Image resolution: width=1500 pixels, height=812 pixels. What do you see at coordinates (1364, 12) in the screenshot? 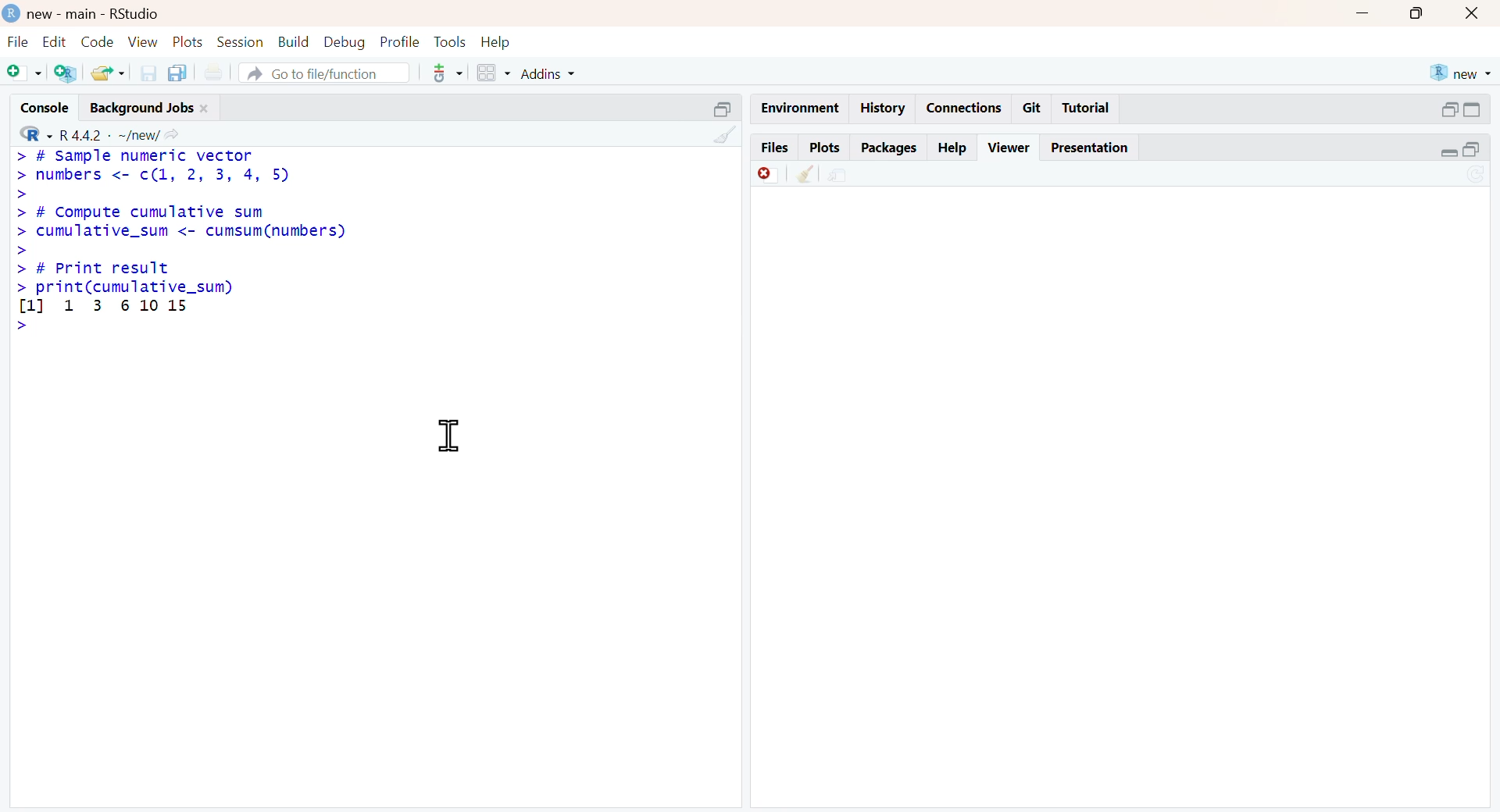
I see `minimize` at bounding box center [1364, 12].